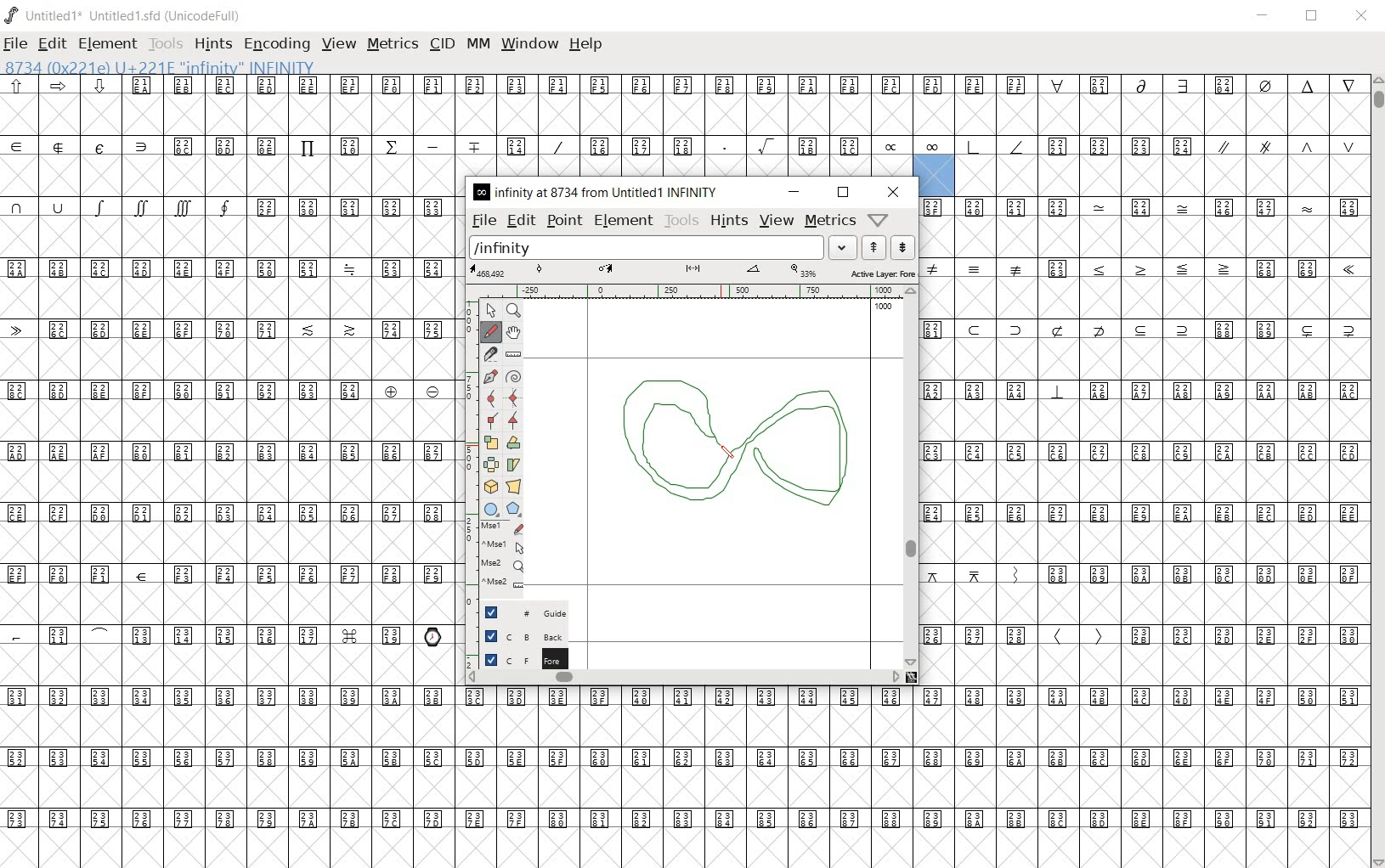 The width and height of the screenshot is (1385, 868). What do you see at coordinates (497, 559) in the screenshot?
I see `mse1 mse1 mse2 mse2` at bounding box center [497, 559].